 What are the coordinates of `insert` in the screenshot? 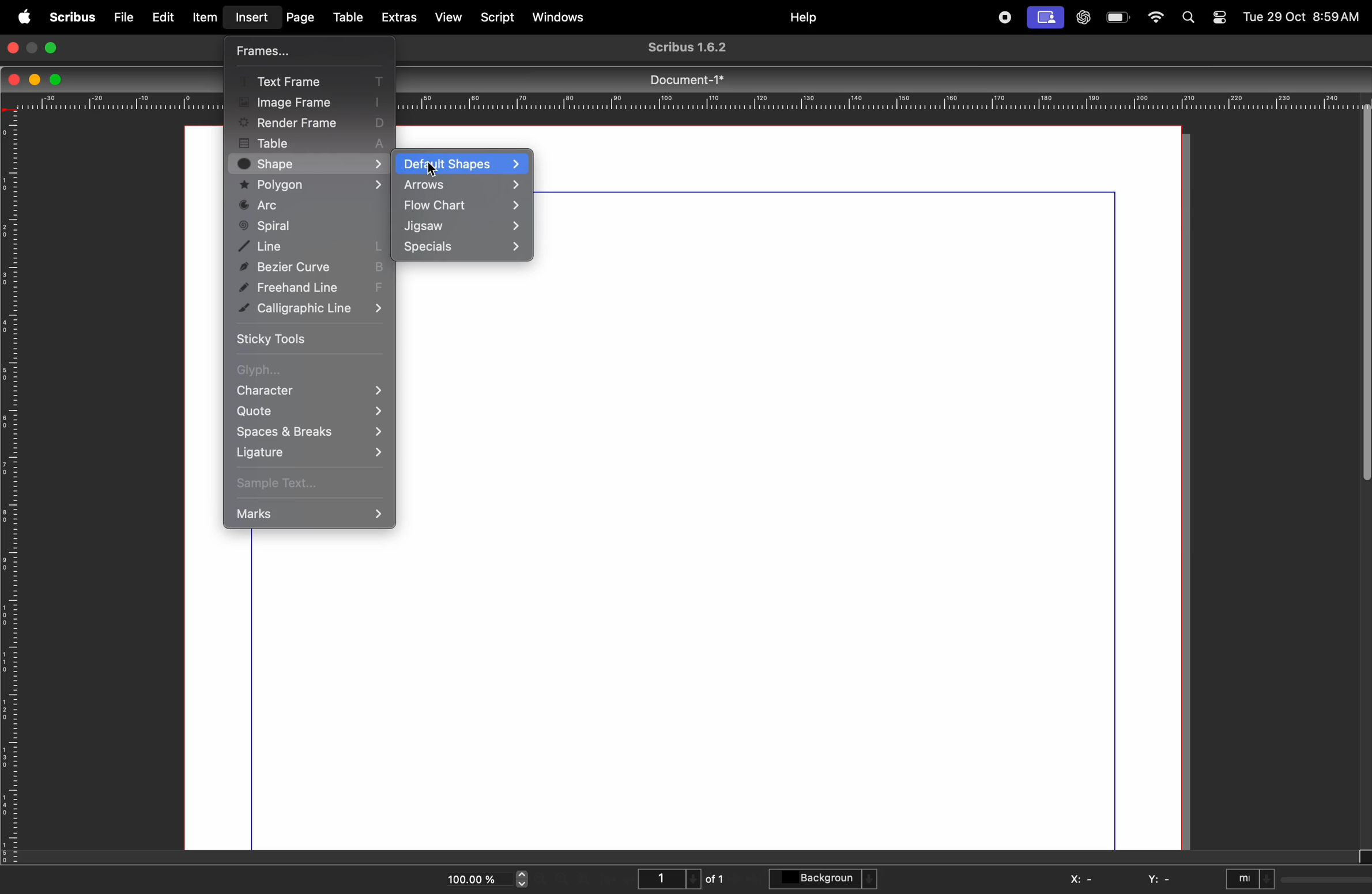 It's located at (251, 17).